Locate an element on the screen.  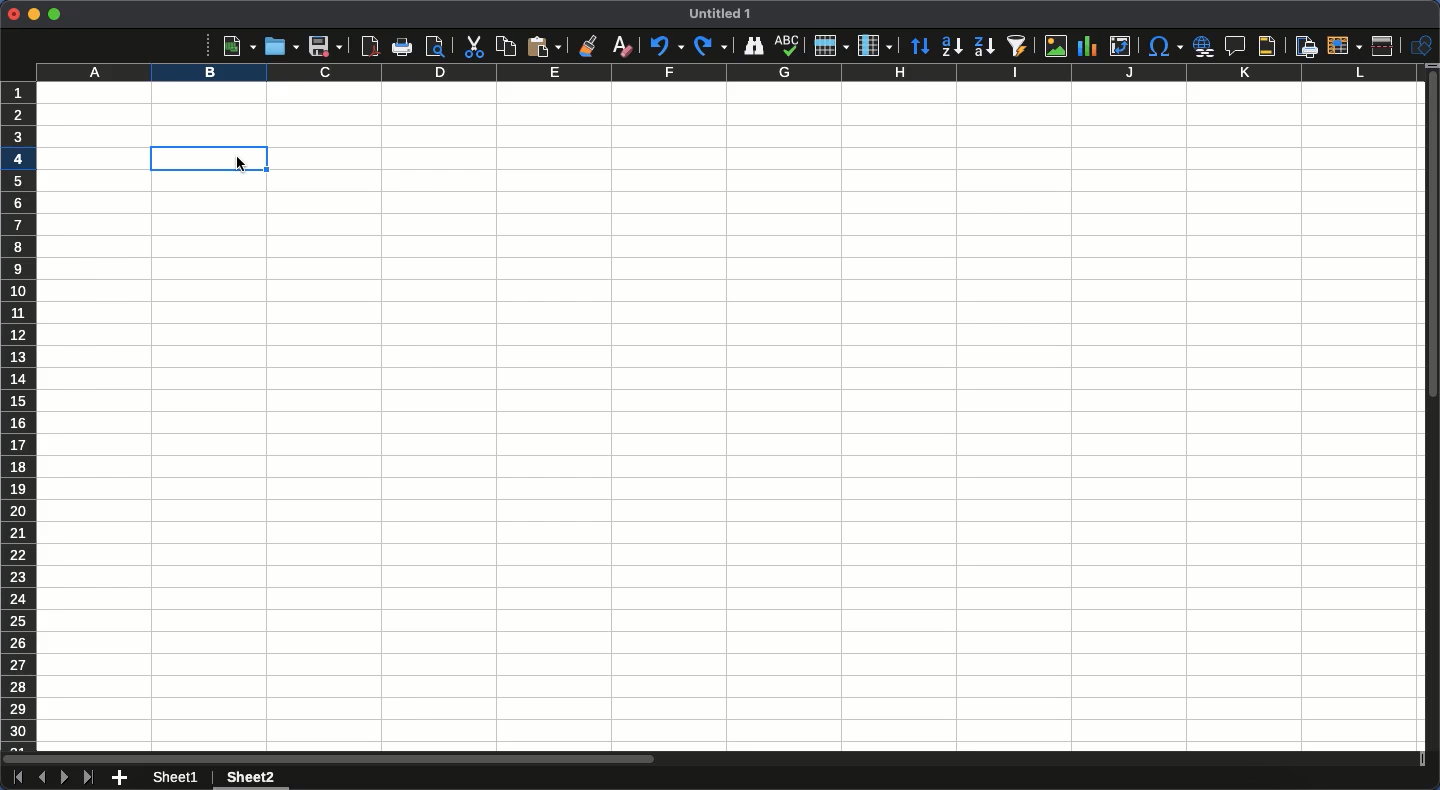
Hyperlink is located at coordinates (1205, 46).